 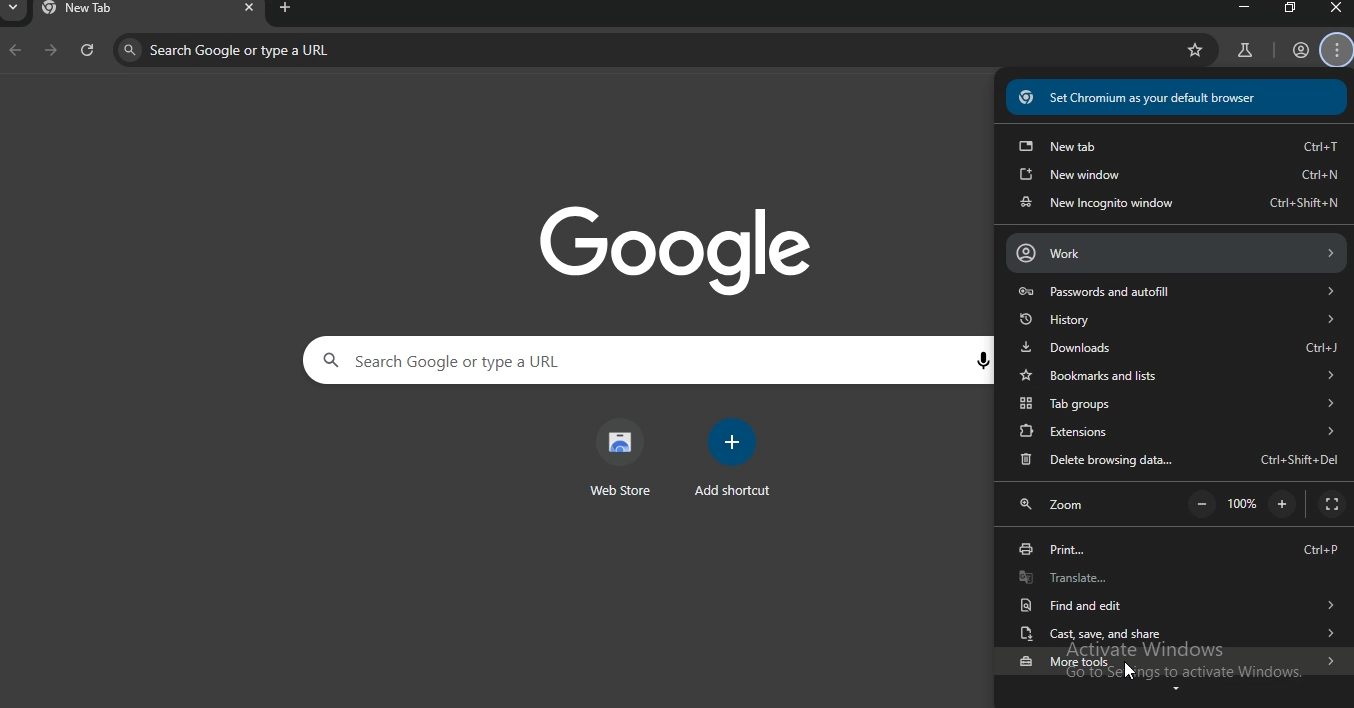 I want to click on zoom in, so click(x=1285, y=504).